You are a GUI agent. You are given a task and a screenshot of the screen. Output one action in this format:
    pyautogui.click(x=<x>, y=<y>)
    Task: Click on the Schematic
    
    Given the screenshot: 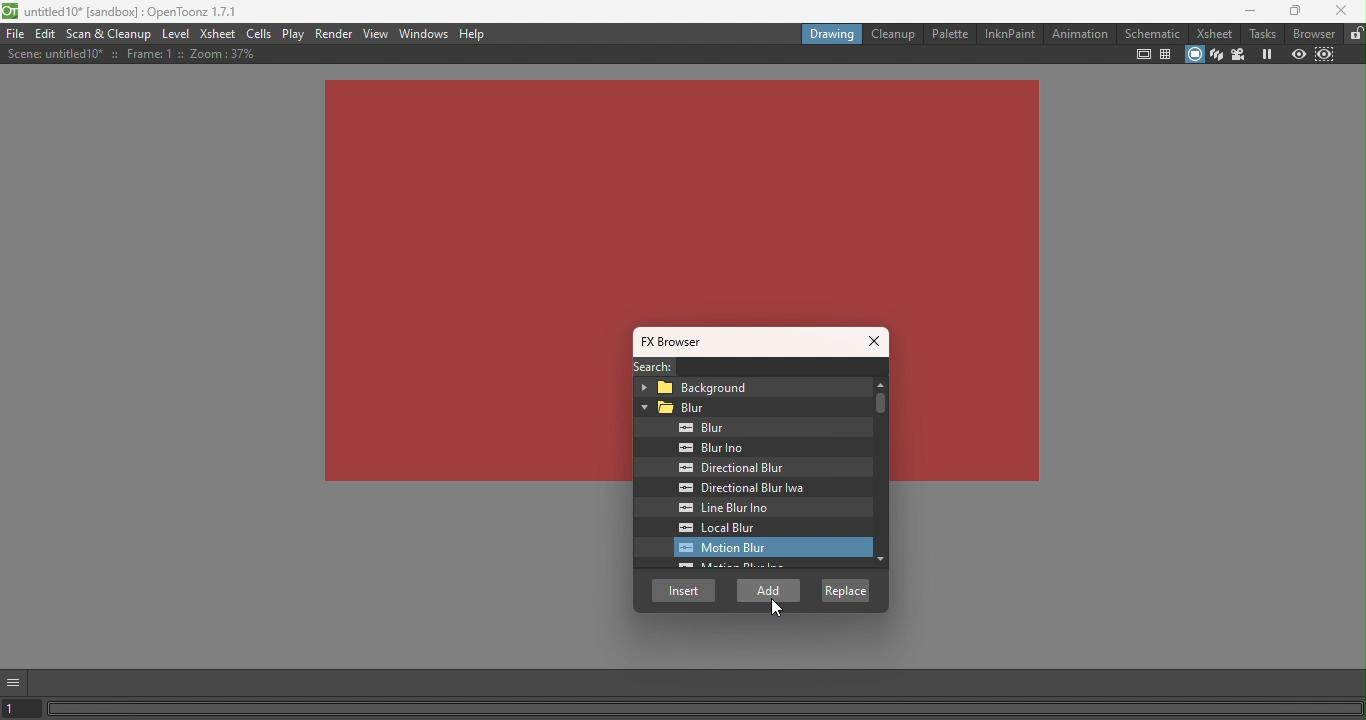 What is the action you would take?
    pyautogui.click(x=1153, y=33)
    